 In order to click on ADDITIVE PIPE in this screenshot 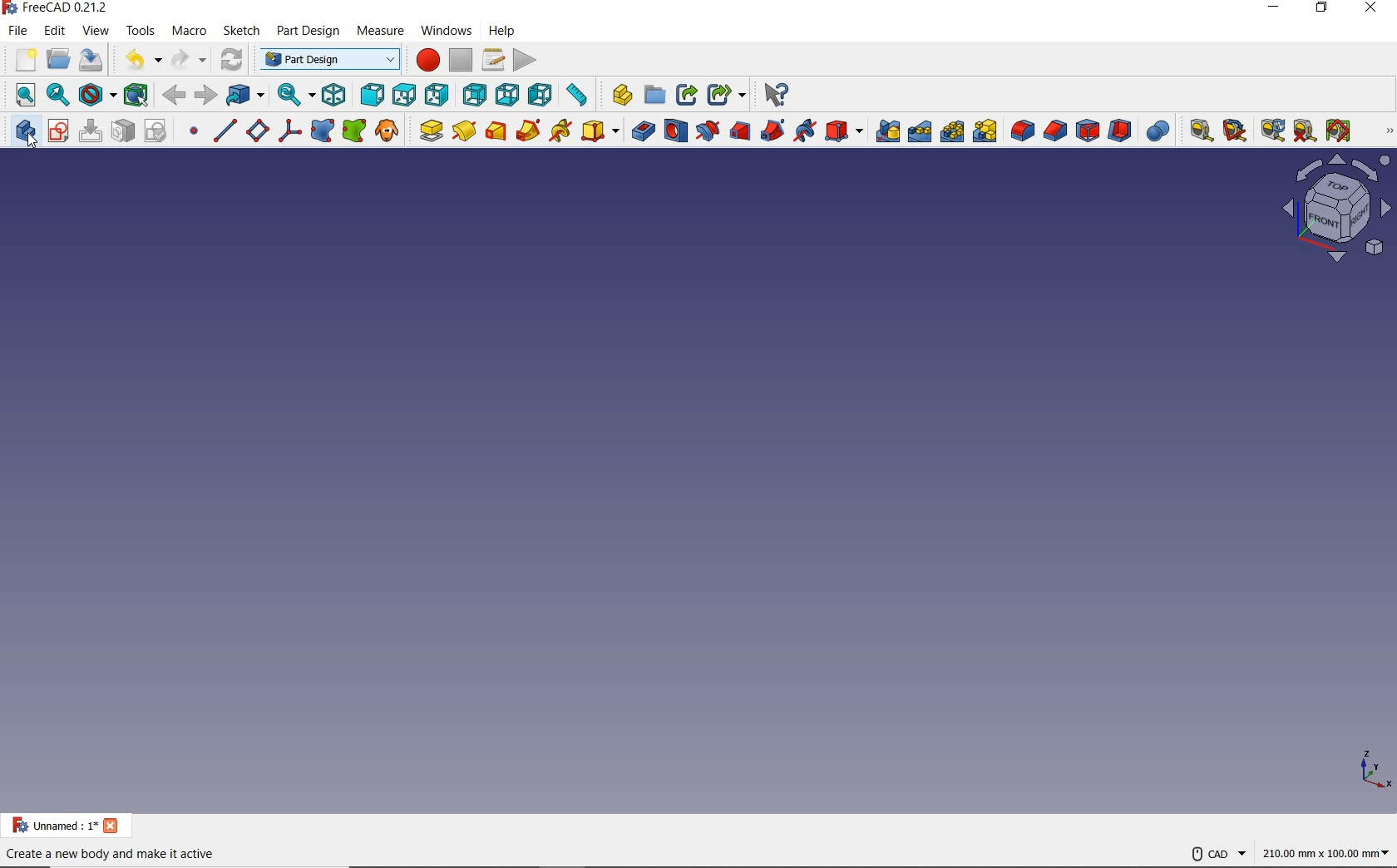, I will do `click(530, 129)`.